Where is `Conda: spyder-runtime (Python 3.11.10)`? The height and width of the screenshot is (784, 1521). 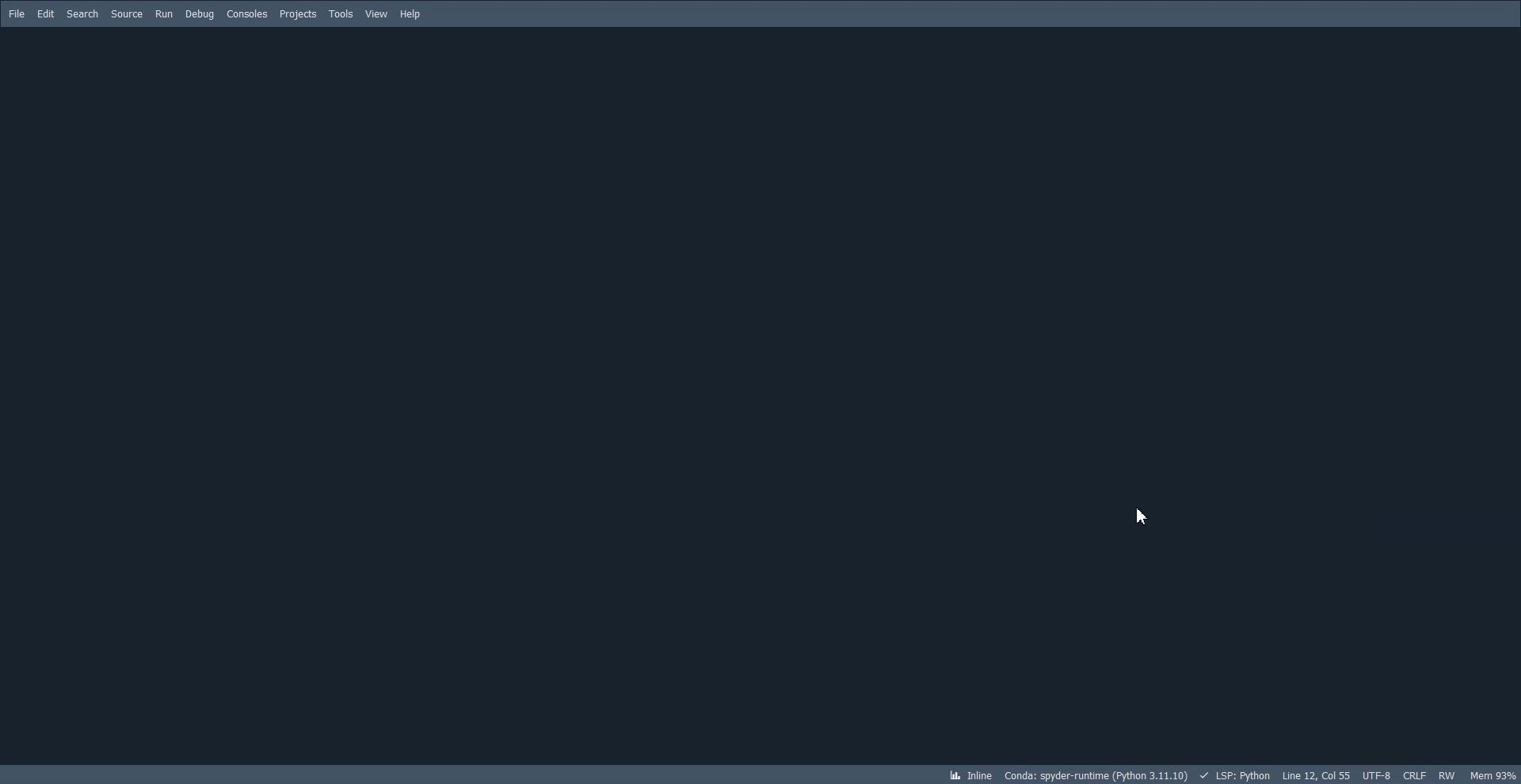
Conda: spyder-runtime (Python 3.11.10) is located at coordinates (1106, 774).